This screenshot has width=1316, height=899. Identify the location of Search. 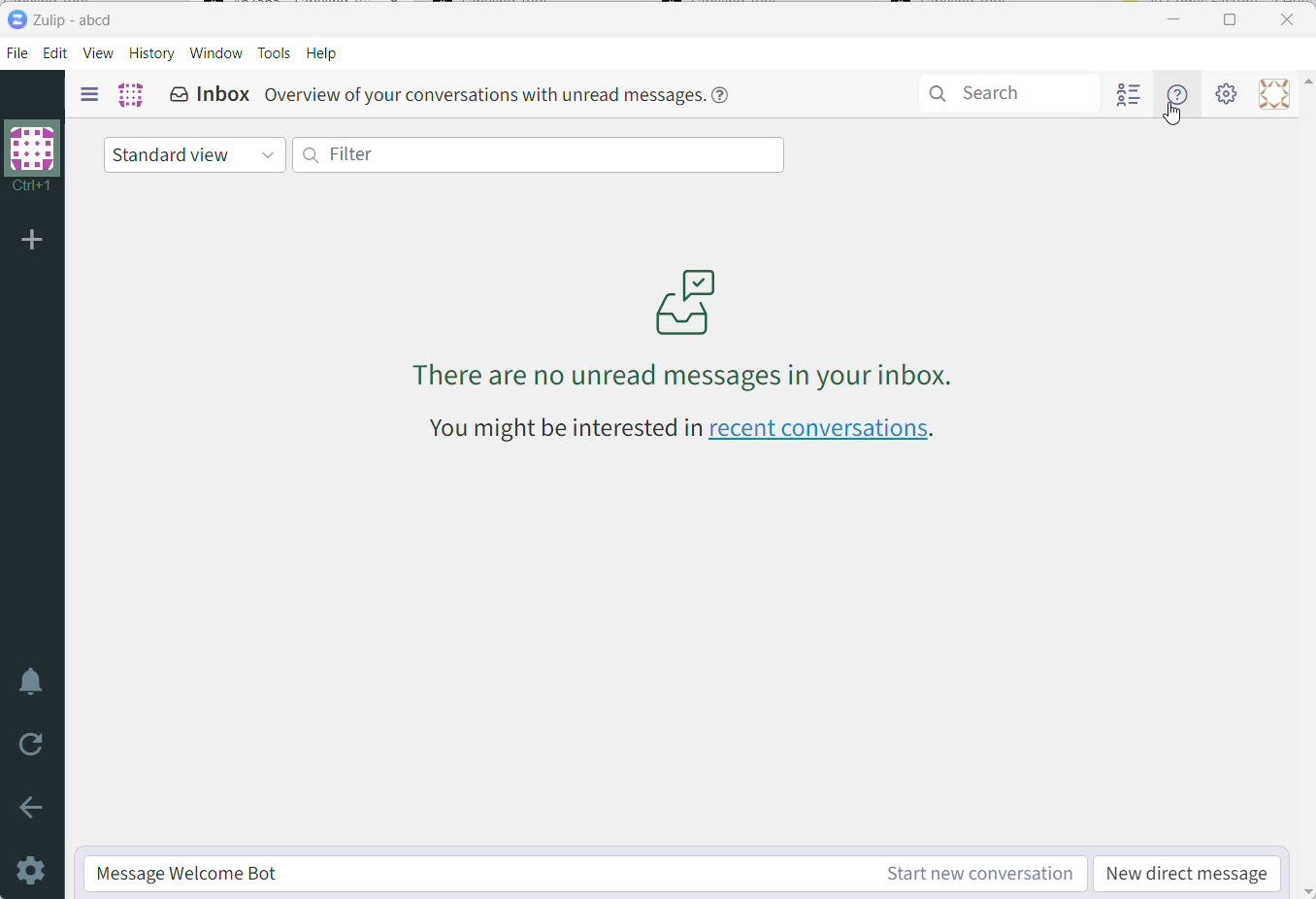
(1011, 92).